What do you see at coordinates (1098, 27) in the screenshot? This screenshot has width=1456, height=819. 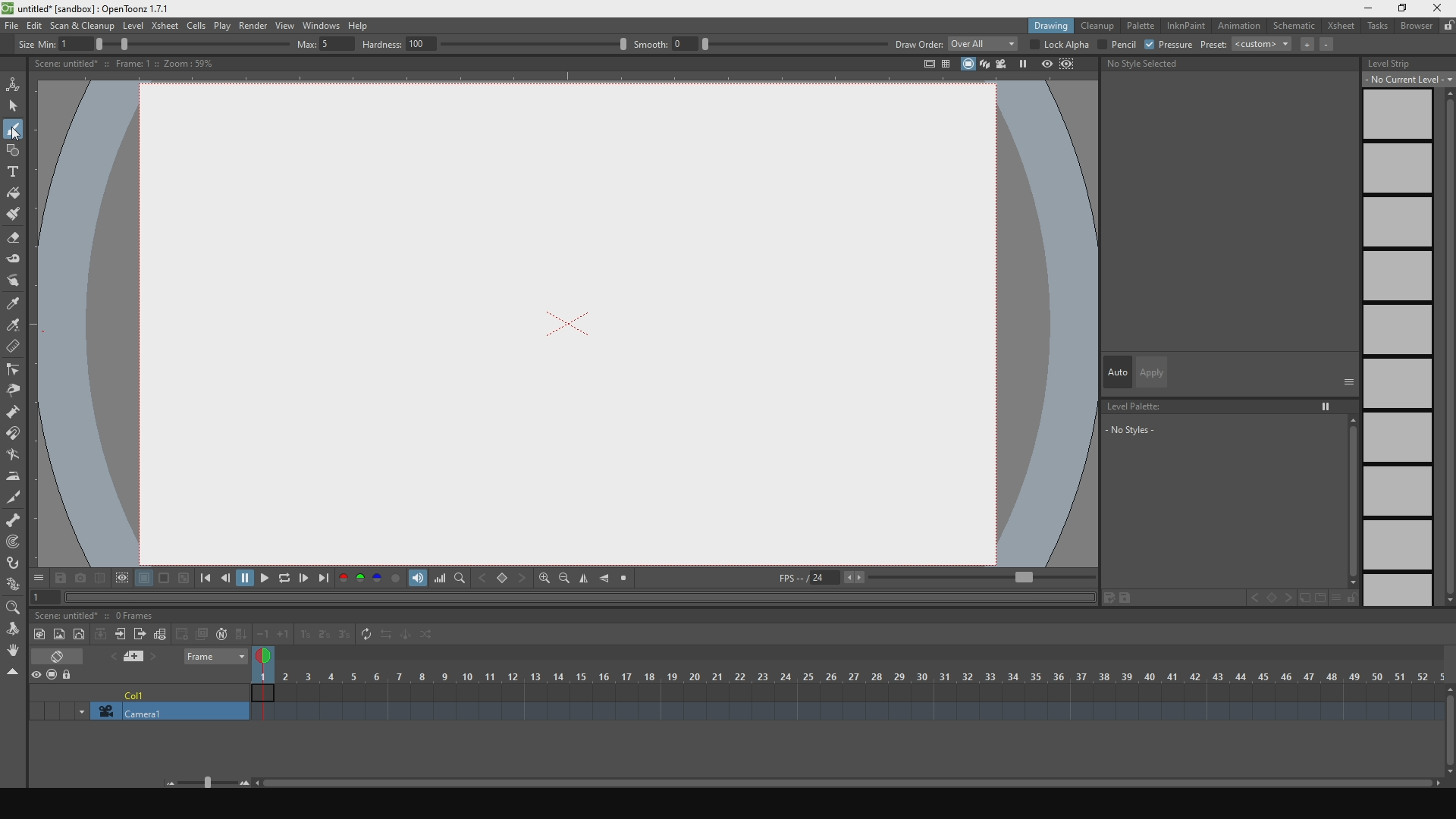 I see `cleanup` at bounding box center [1098, 27].